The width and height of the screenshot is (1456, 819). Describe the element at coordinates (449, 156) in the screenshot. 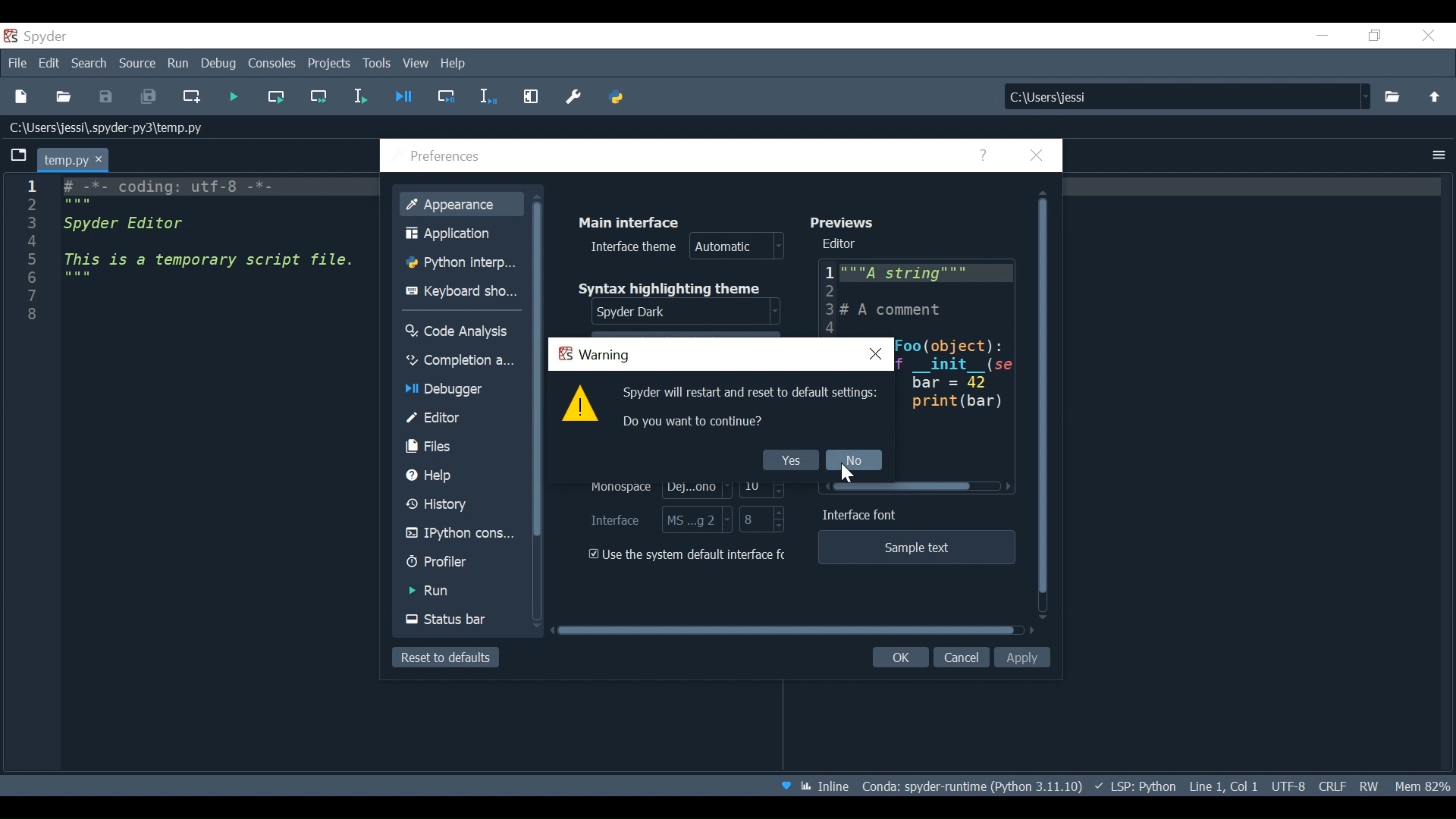

I see `Preferences` at that location.